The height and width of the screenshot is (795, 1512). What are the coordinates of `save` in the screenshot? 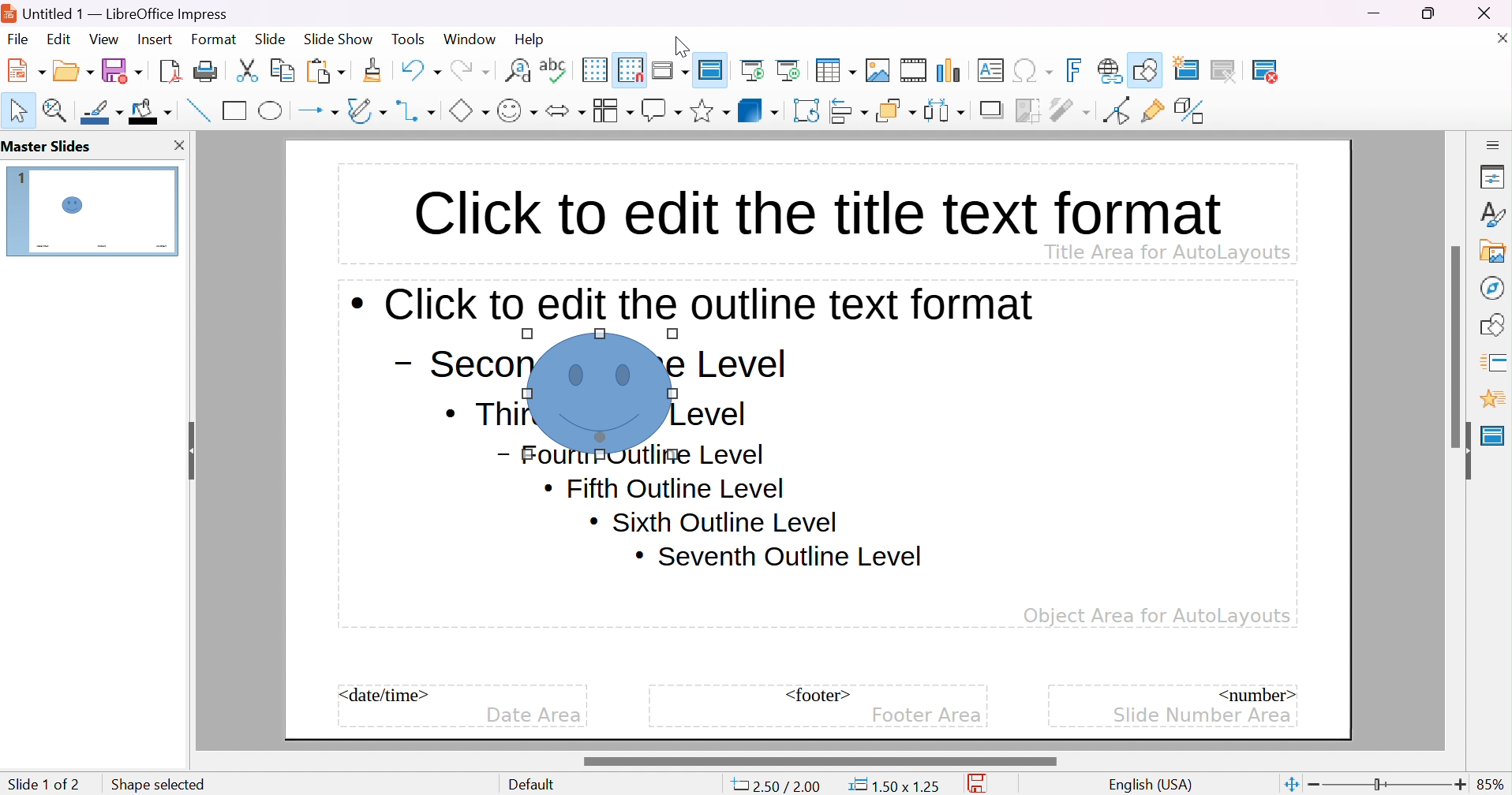 It's located at (982, 784).